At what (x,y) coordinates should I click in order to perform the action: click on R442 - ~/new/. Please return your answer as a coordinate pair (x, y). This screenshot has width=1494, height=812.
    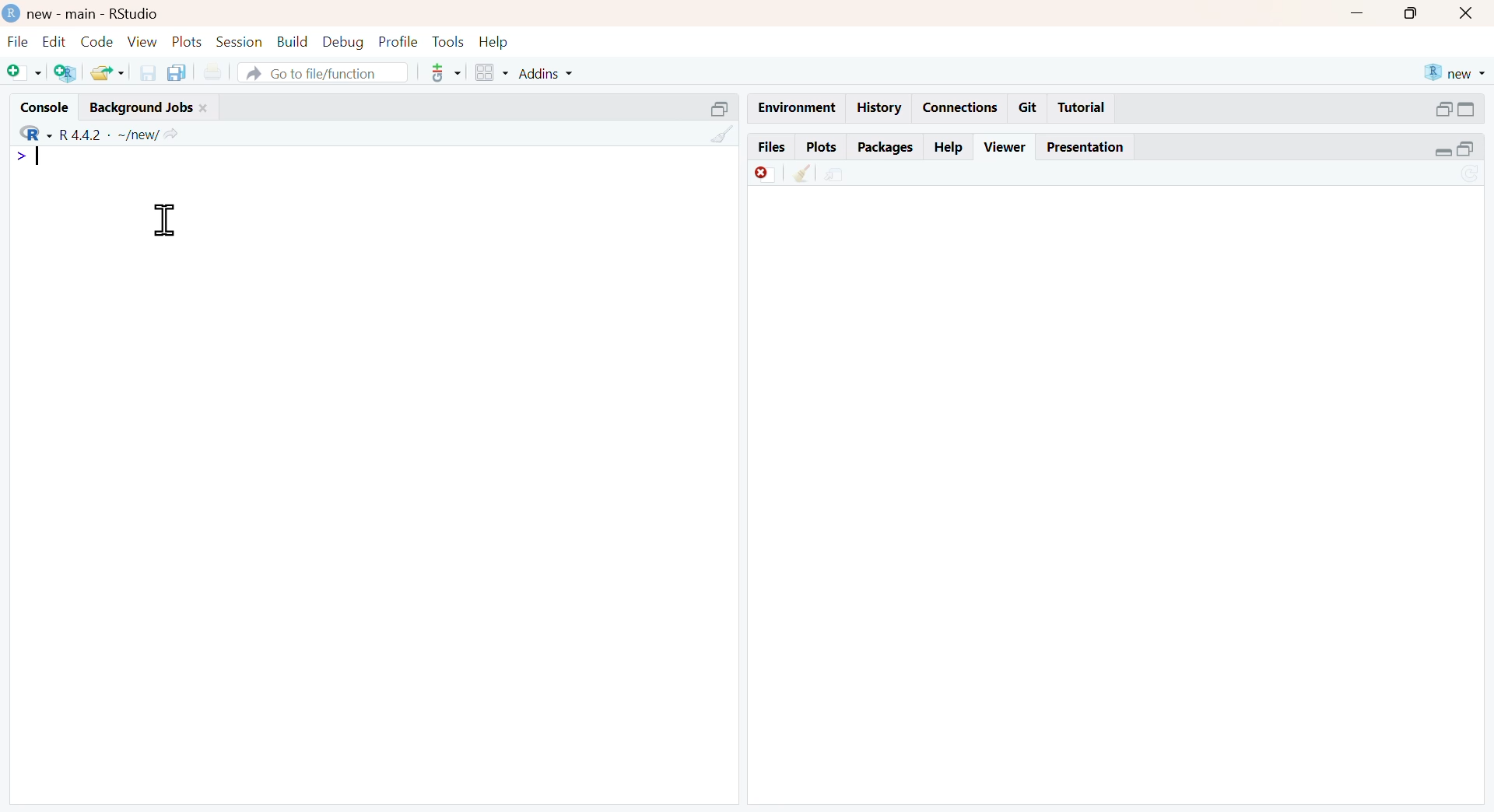
    Looking at the image, I should click on (124, 136).